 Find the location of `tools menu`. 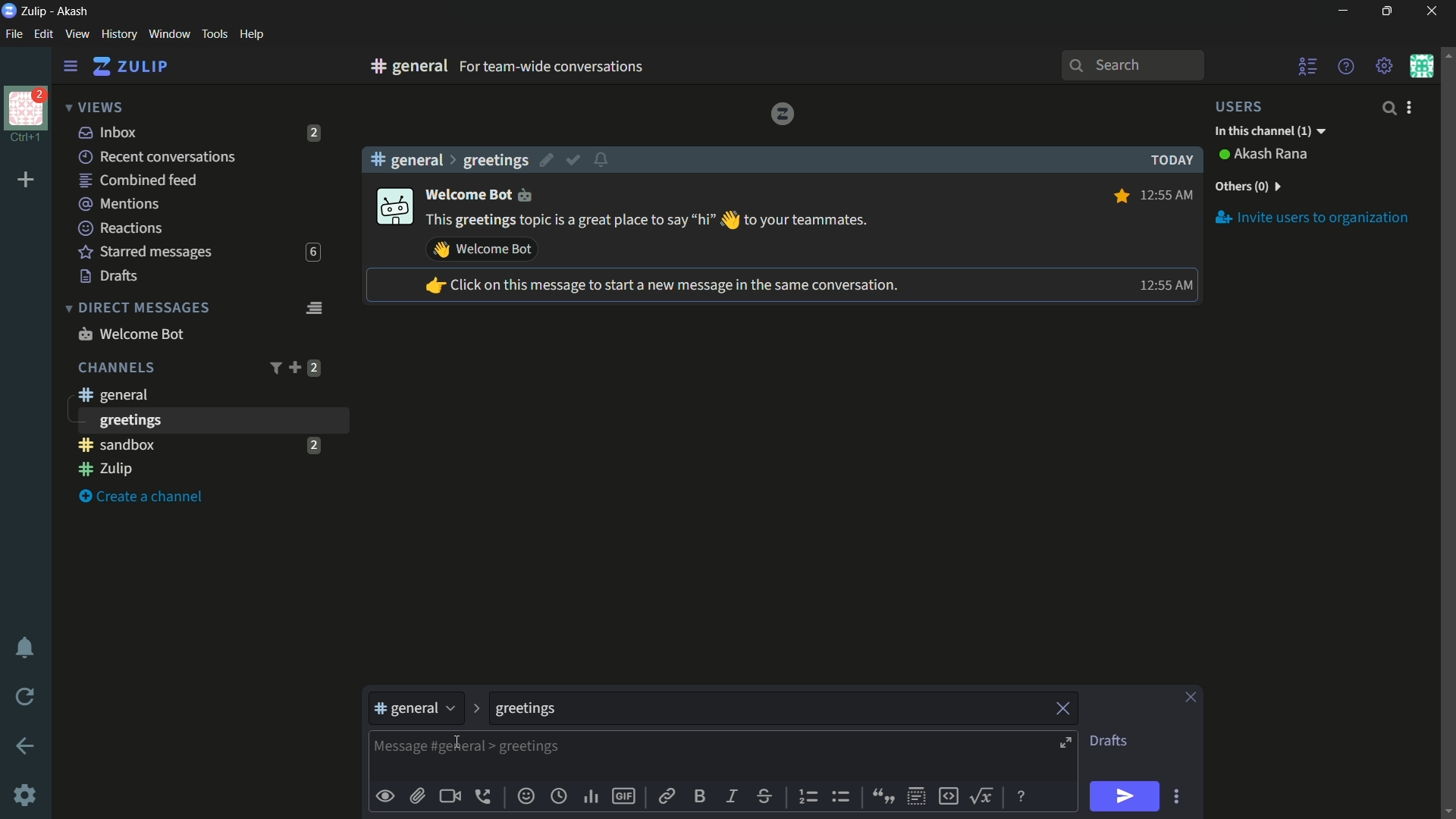

tools menu is located at coordinates (214, 34).